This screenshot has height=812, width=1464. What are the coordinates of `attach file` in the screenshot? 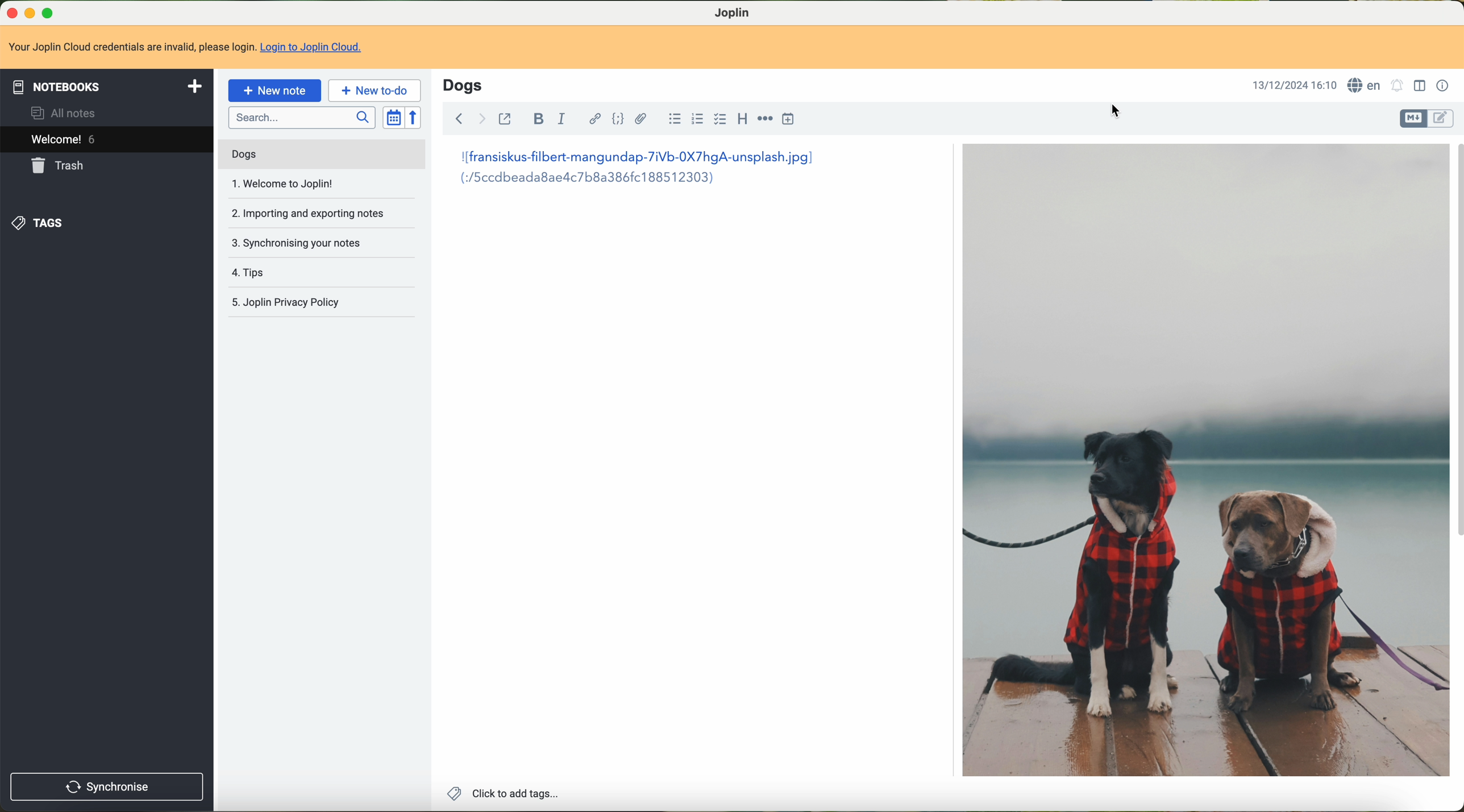 It's located at (640, 119).